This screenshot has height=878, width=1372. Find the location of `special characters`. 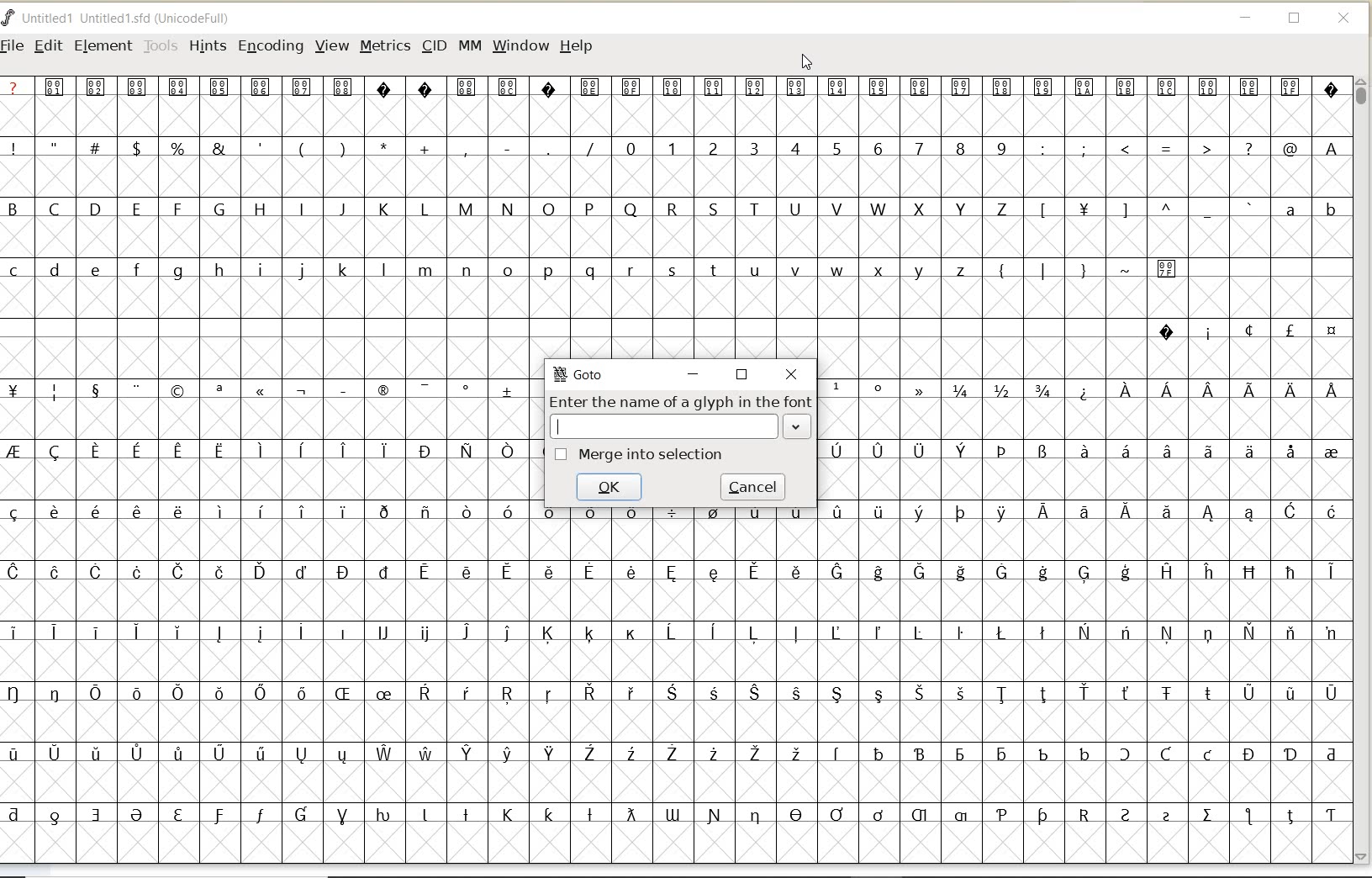

special characters is located at coordinates (1108, 276).